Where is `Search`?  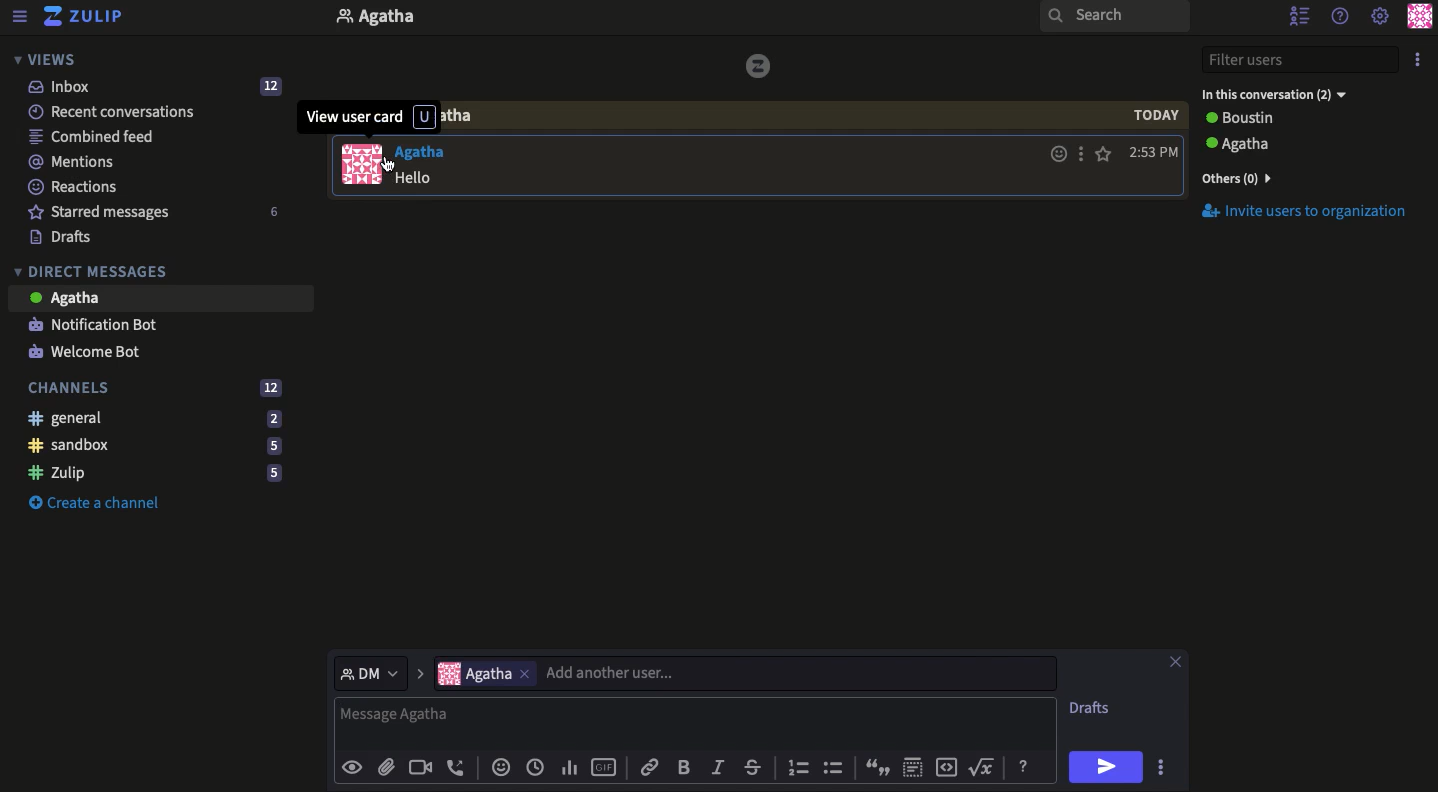
Search is located at coordinates (1112, 18).